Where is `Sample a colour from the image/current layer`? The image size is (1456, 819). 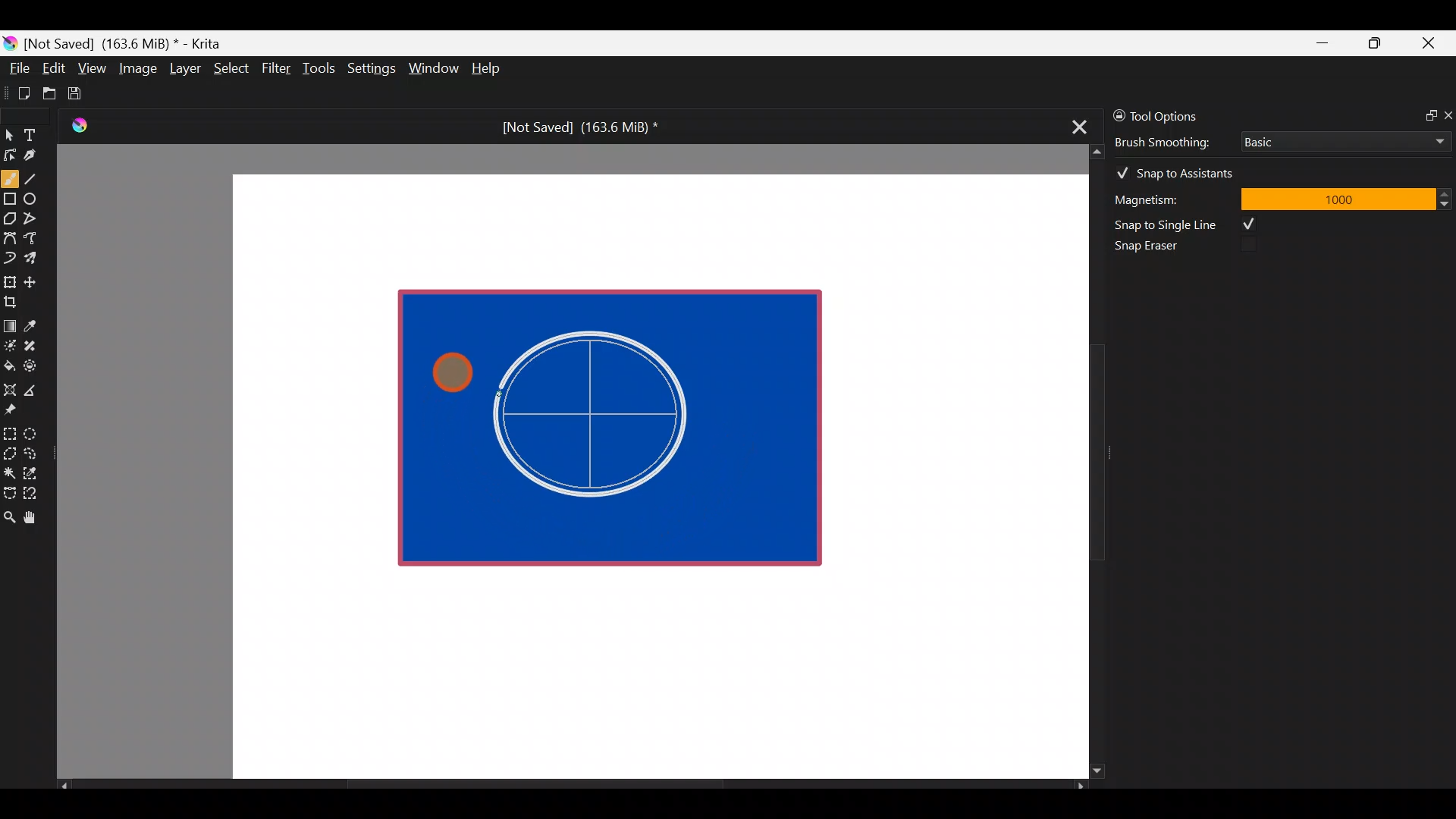 Sample a colour from the image/current layer is located at coordinates (36, 324).